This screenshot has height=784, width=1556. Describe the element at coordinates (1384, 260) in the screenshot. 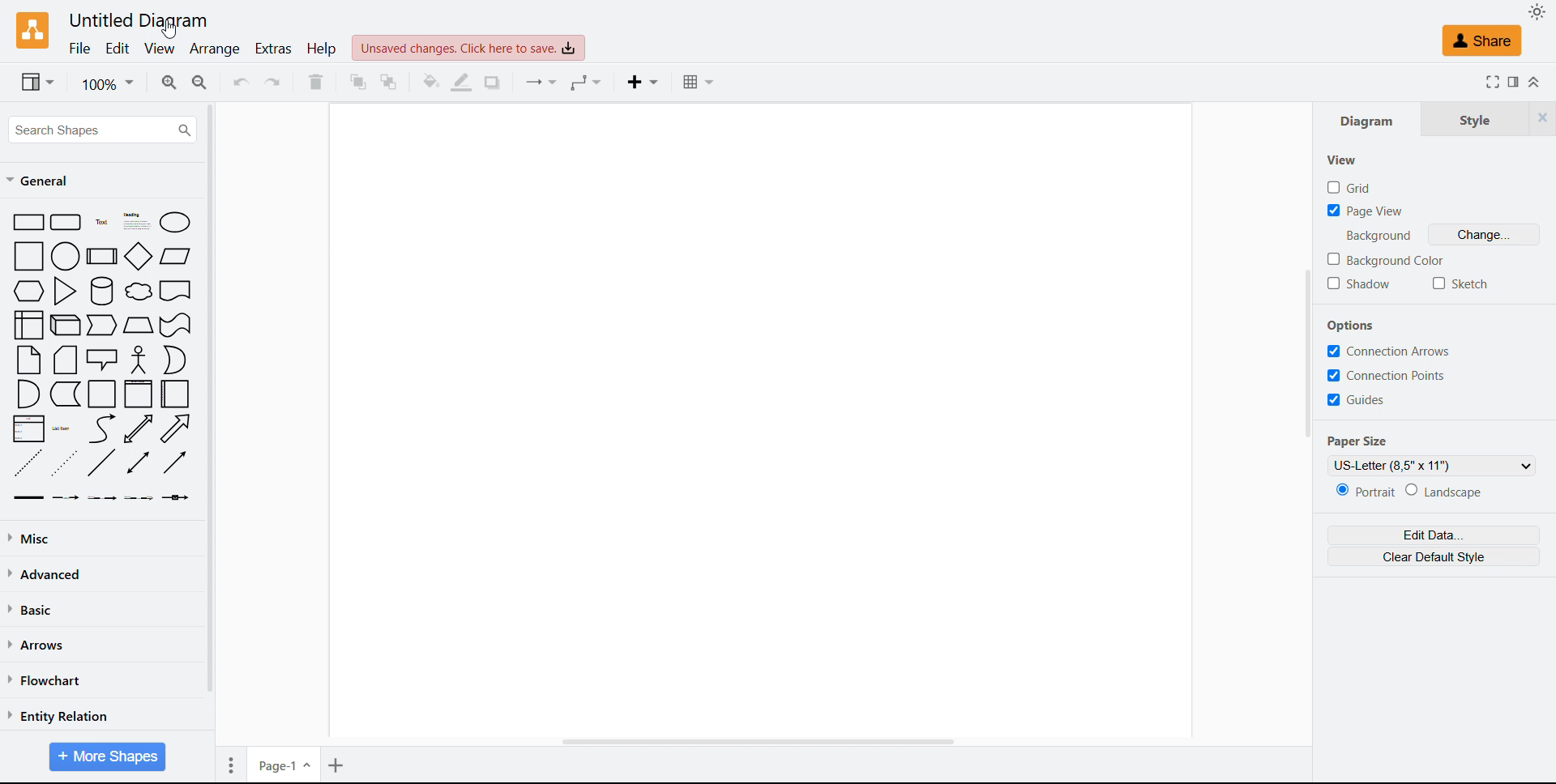

I see `Background Colour  ` at that location.